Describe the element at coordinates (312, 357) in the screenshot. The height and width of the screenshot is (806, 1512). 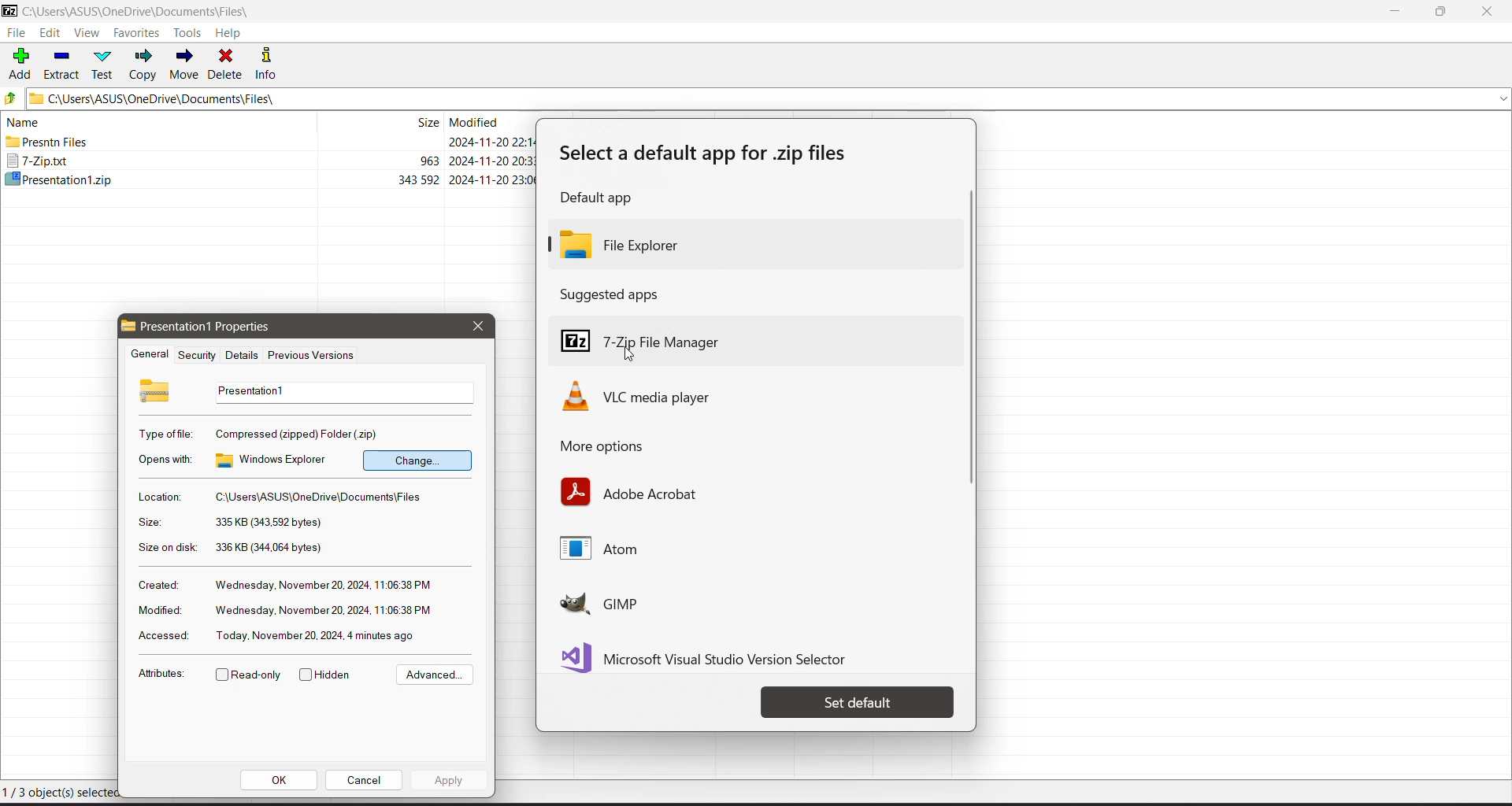
I see `Previous Versions` at that location.